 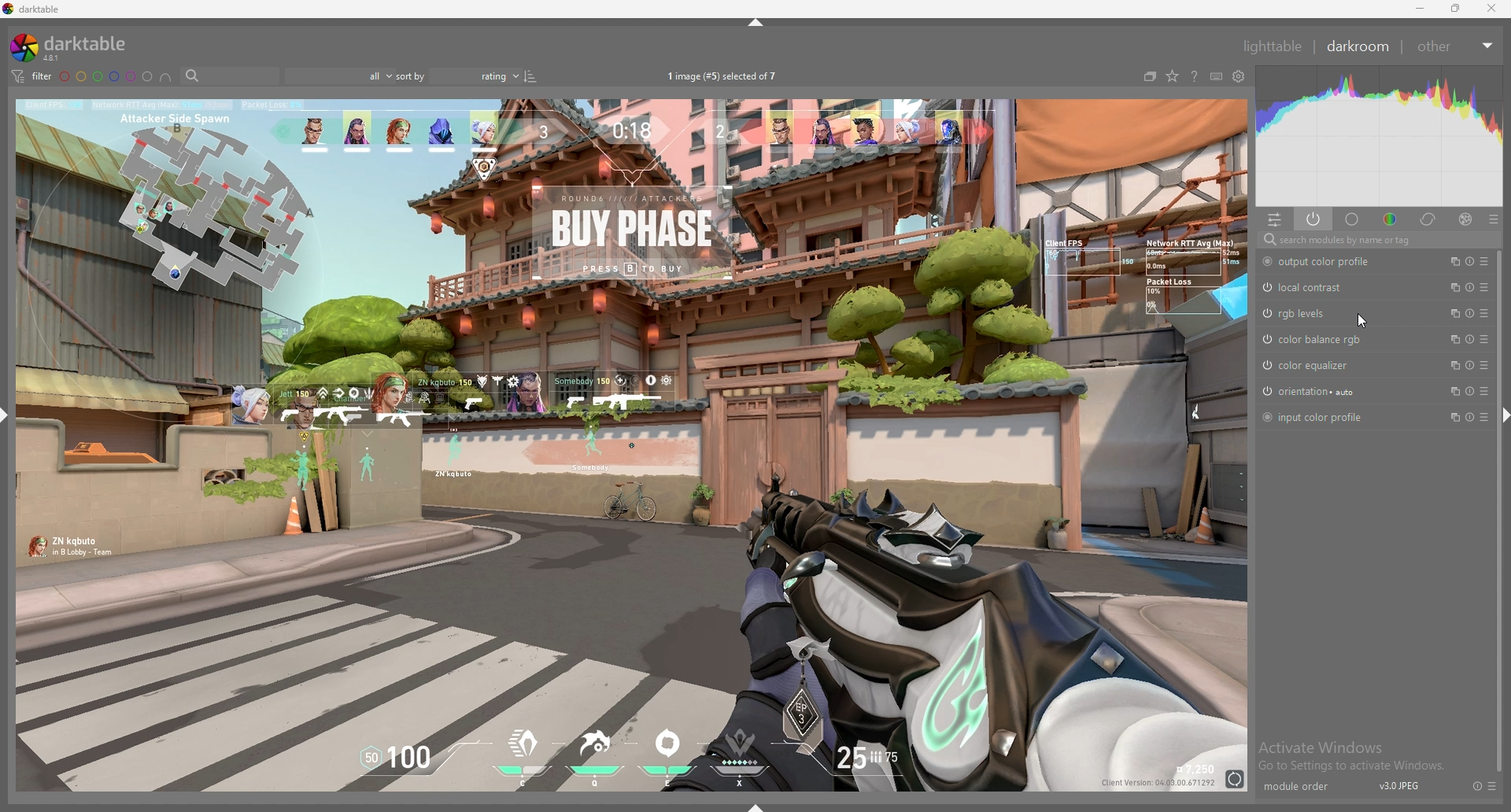 What do you see at coordinates (1329, 261) in the screenshot?
I see `output color profile` at bounding box center [1329, 261].